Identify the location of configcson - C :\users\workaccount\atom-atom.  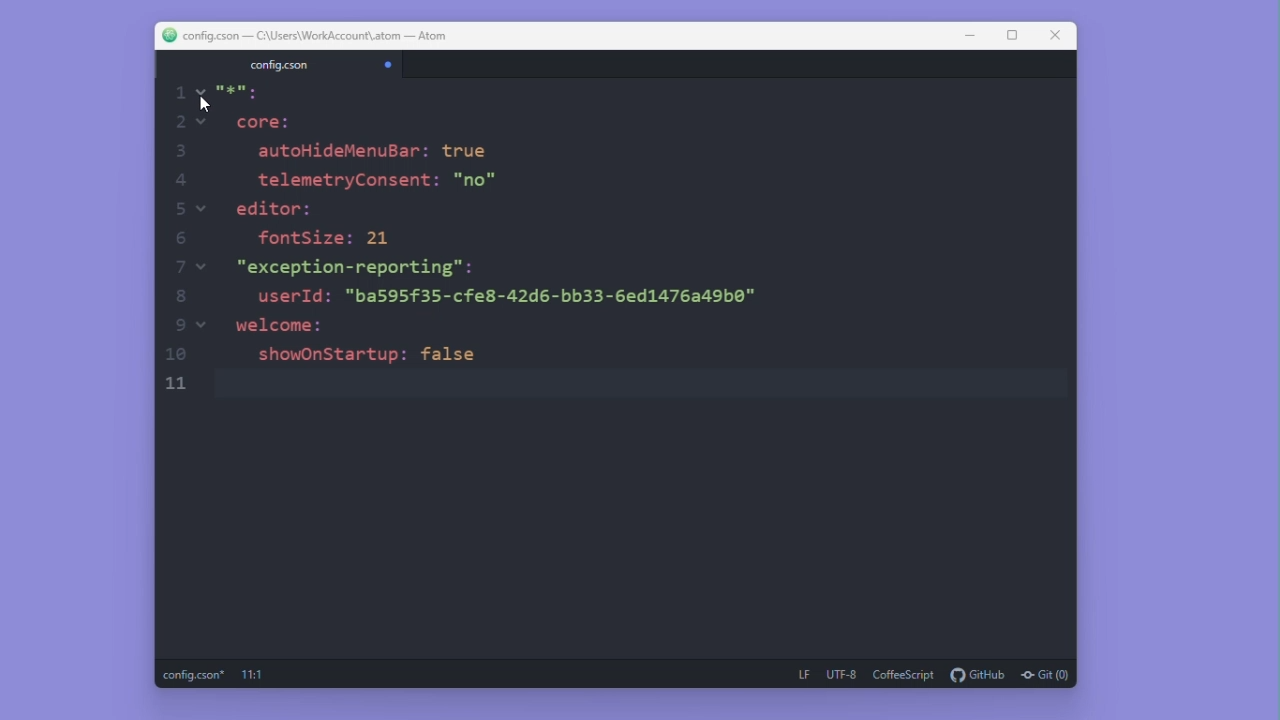
(327, 37).